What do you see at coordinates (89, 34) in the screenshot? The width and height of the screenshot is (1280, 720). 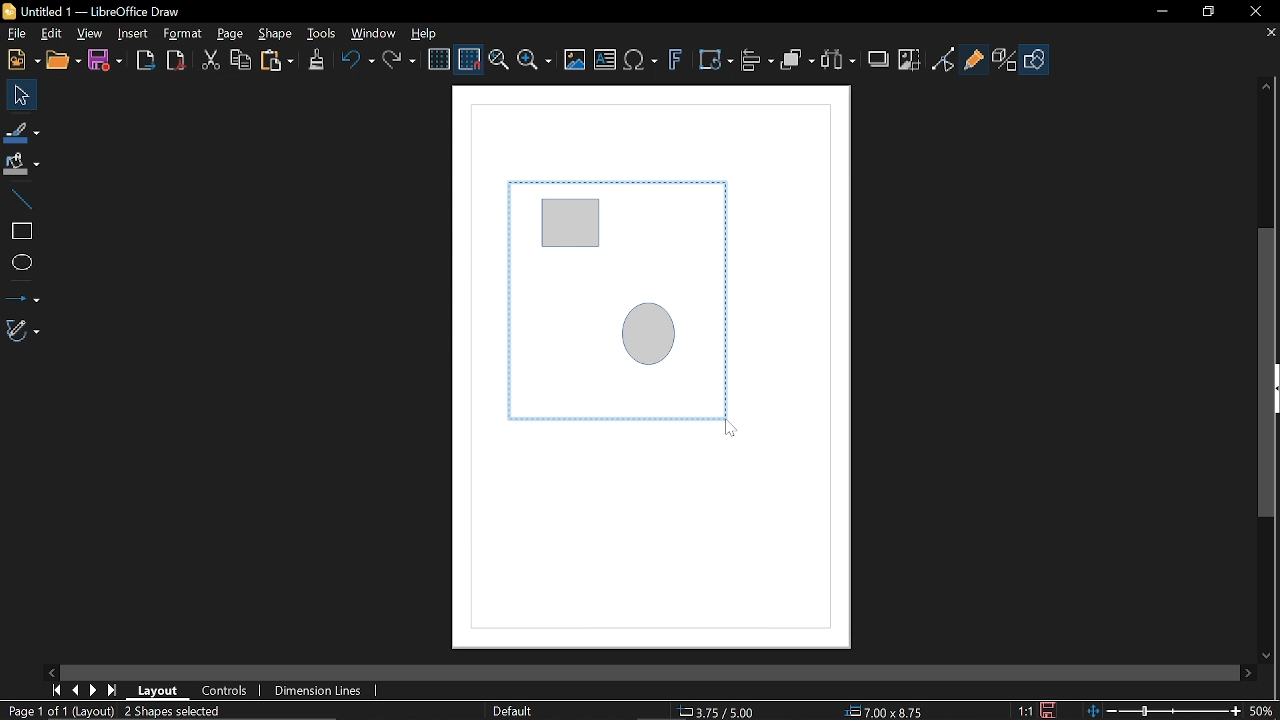 I see `View` at bounding box center [89, 34].